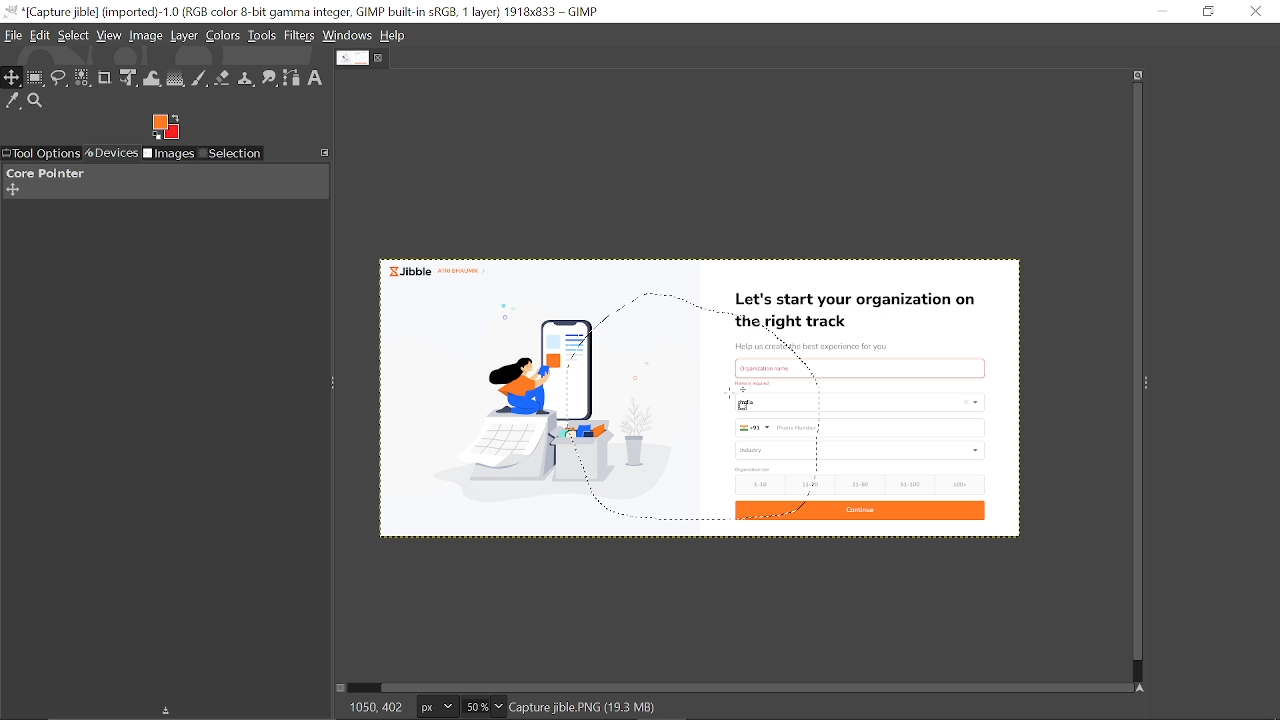 The width and height of the screenshot is (1280, 720). What do you see at coordinates (13, 36) in the screenshot?
I see `File` at bounding box center [13, 36].